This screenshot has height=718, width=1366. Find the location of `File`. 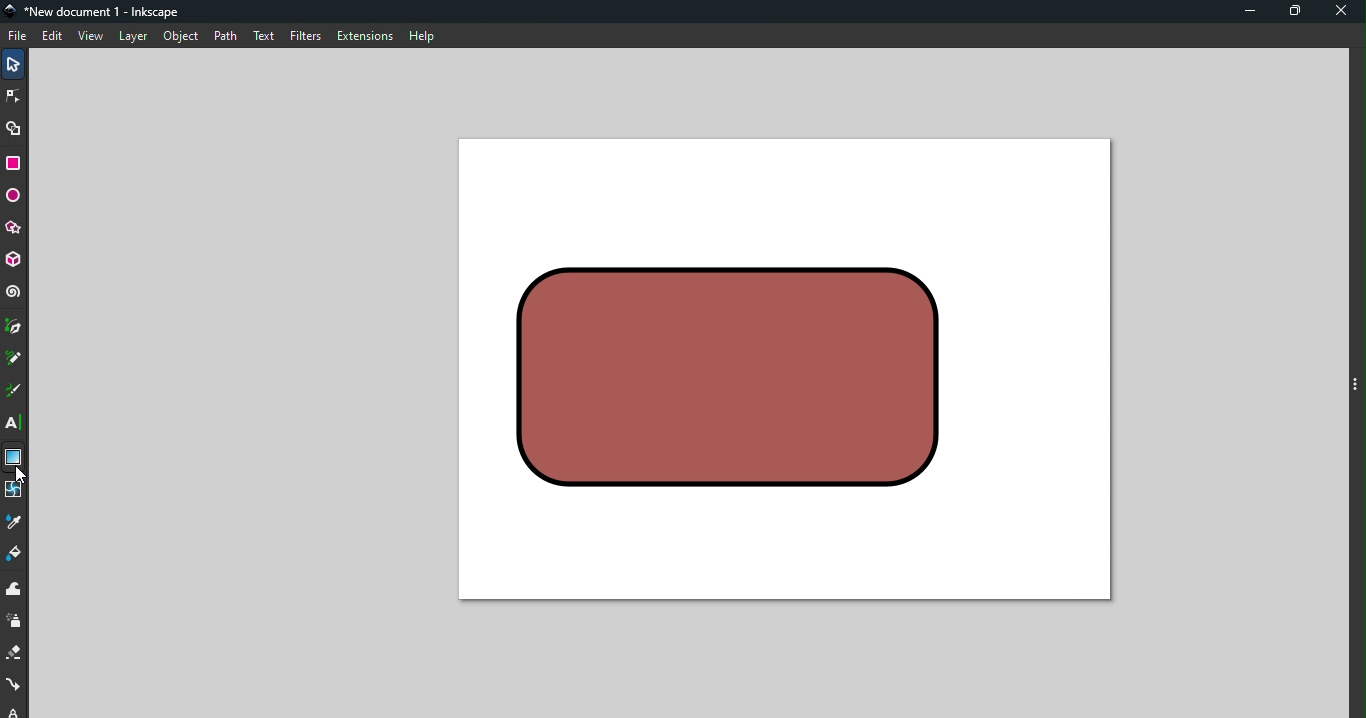

File is located at coordinates (18, 36).